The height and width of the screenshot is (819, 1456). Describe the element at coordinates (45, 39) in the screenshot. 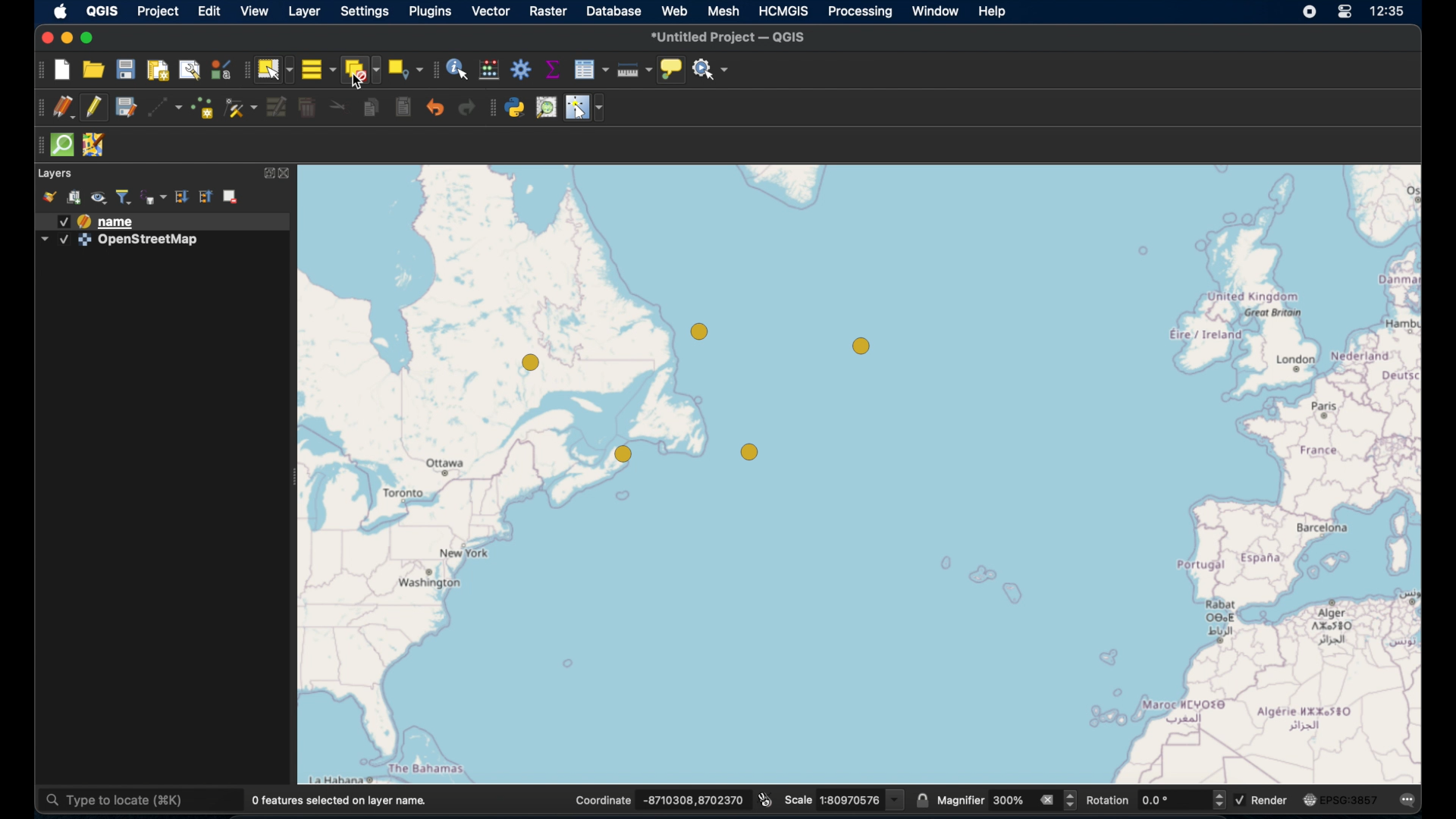

I see `close` at that location.